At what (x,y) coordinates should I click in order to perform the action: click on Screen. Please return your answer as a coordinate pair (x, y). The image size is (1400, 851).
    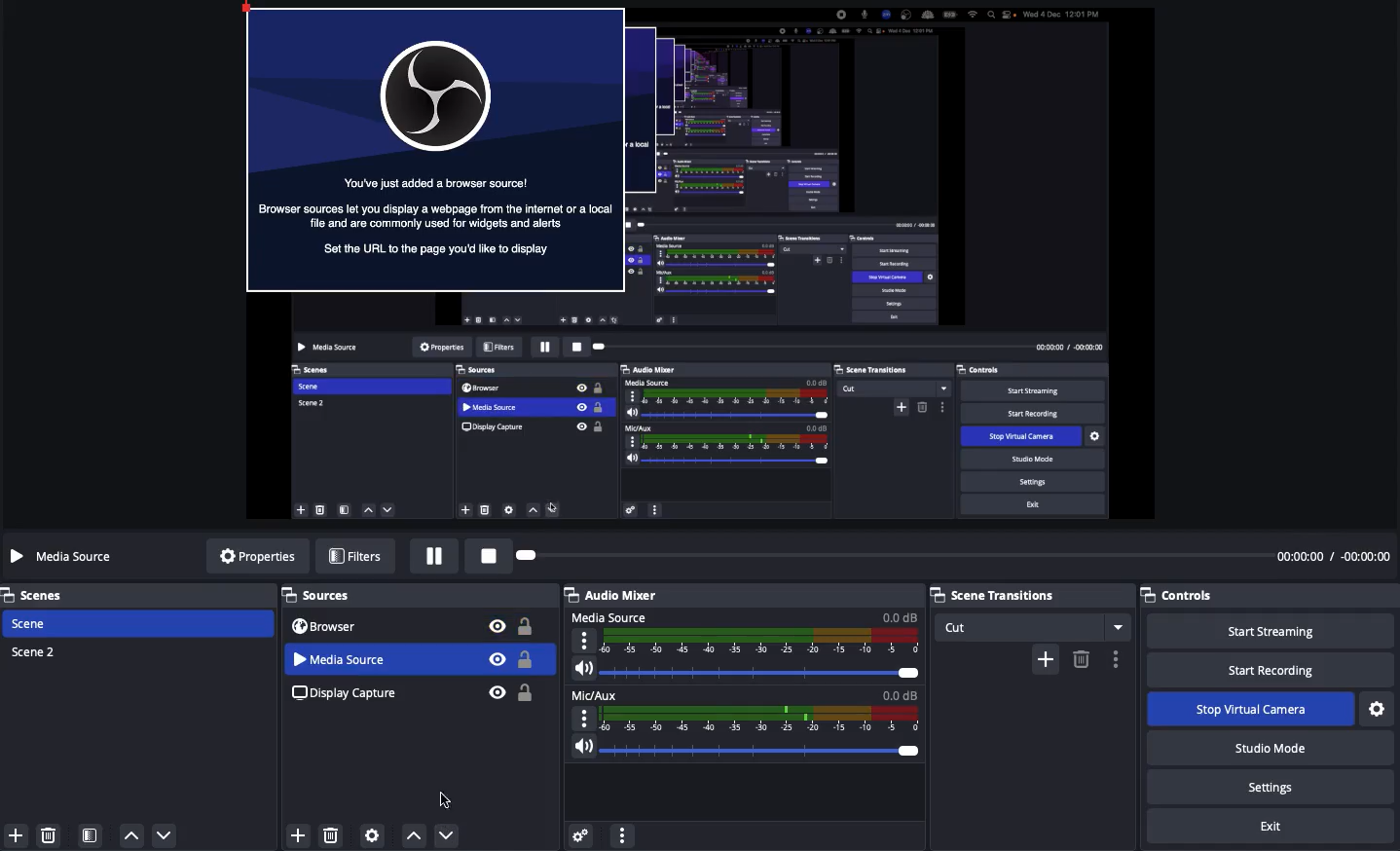
    Looking at the image, I should click on (701, 260).